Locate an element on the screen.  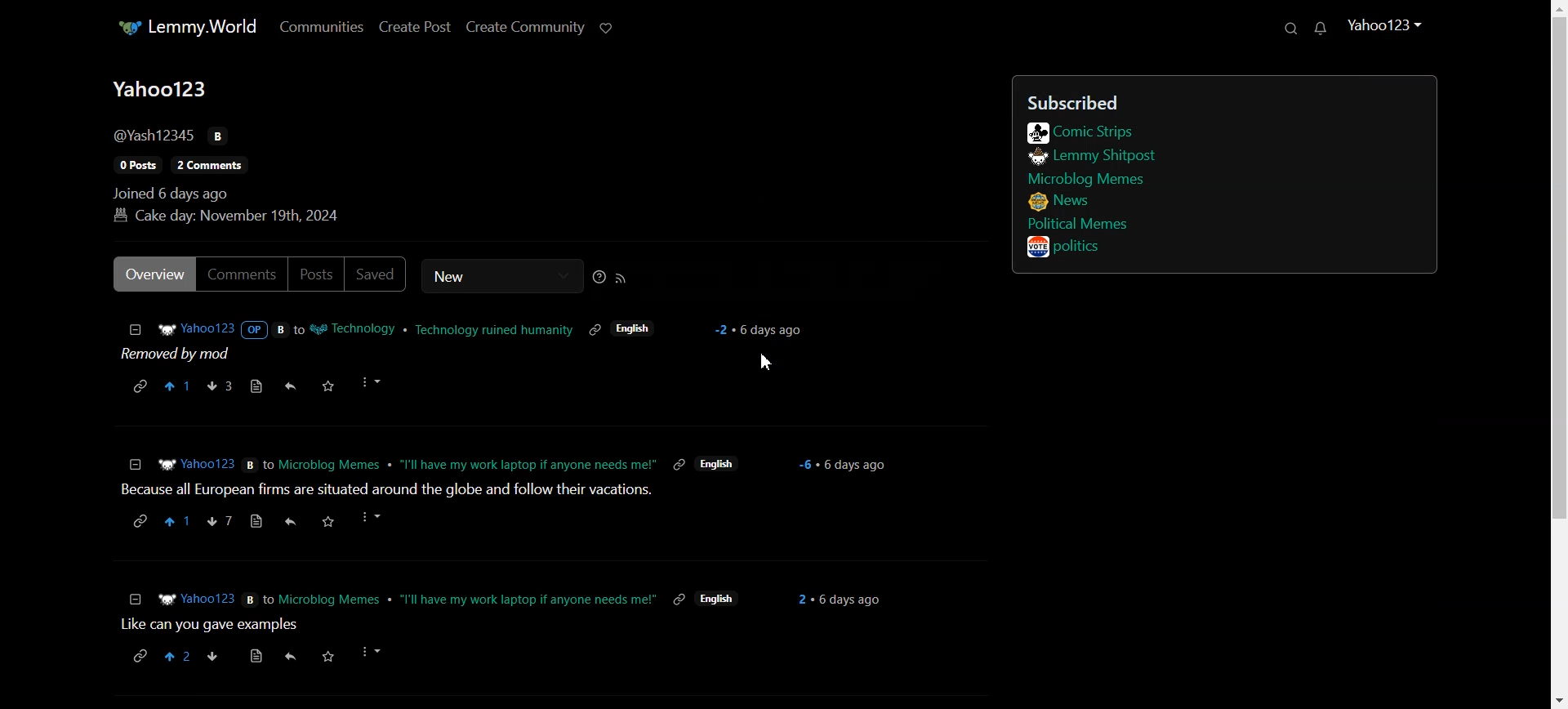
hyperlink is located at coordinates (139, 654).